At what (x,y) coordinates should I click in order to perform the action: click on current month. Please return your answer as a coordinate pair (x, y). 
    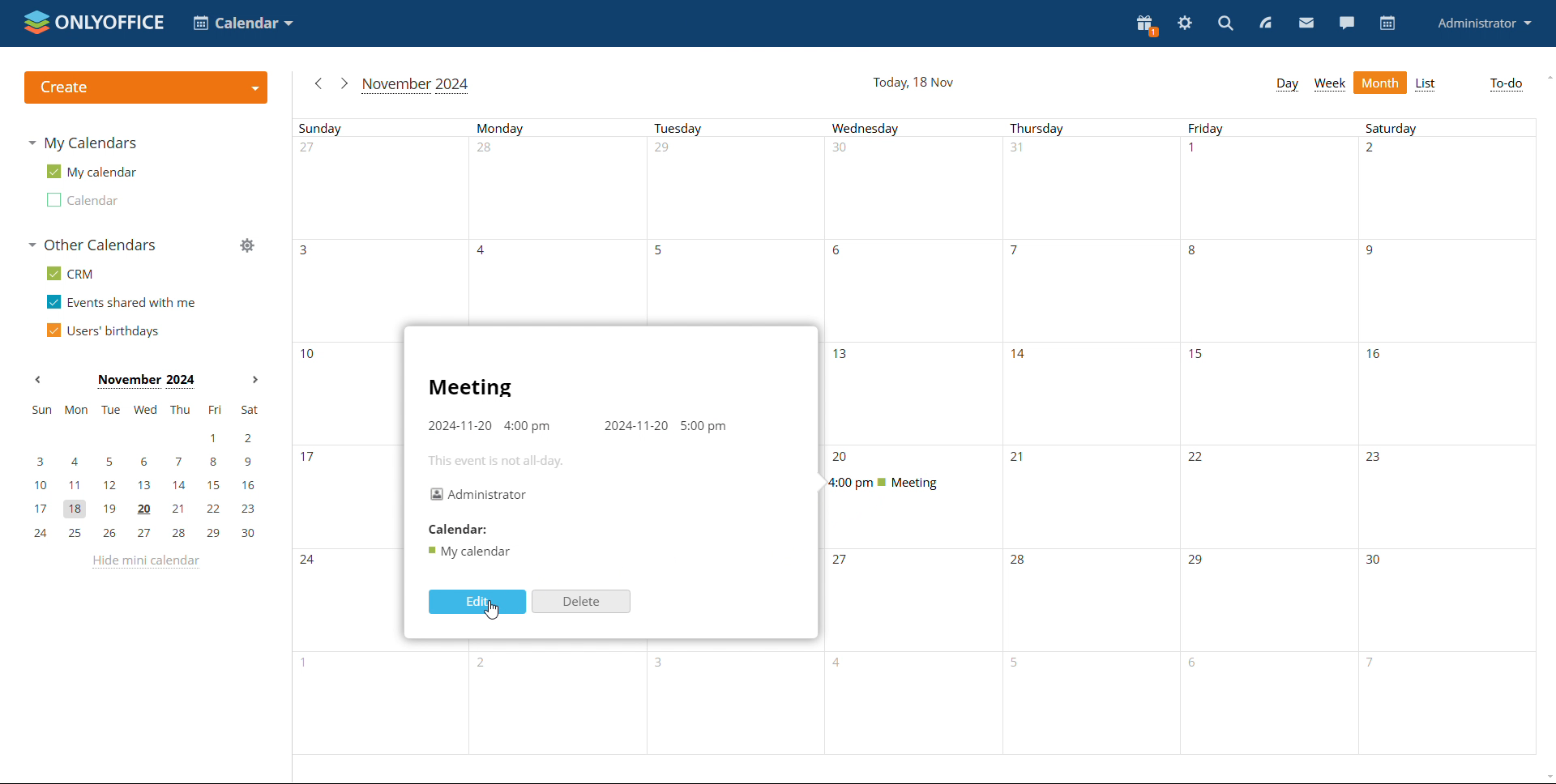
    Looking at the image, I should click on (417, 87).